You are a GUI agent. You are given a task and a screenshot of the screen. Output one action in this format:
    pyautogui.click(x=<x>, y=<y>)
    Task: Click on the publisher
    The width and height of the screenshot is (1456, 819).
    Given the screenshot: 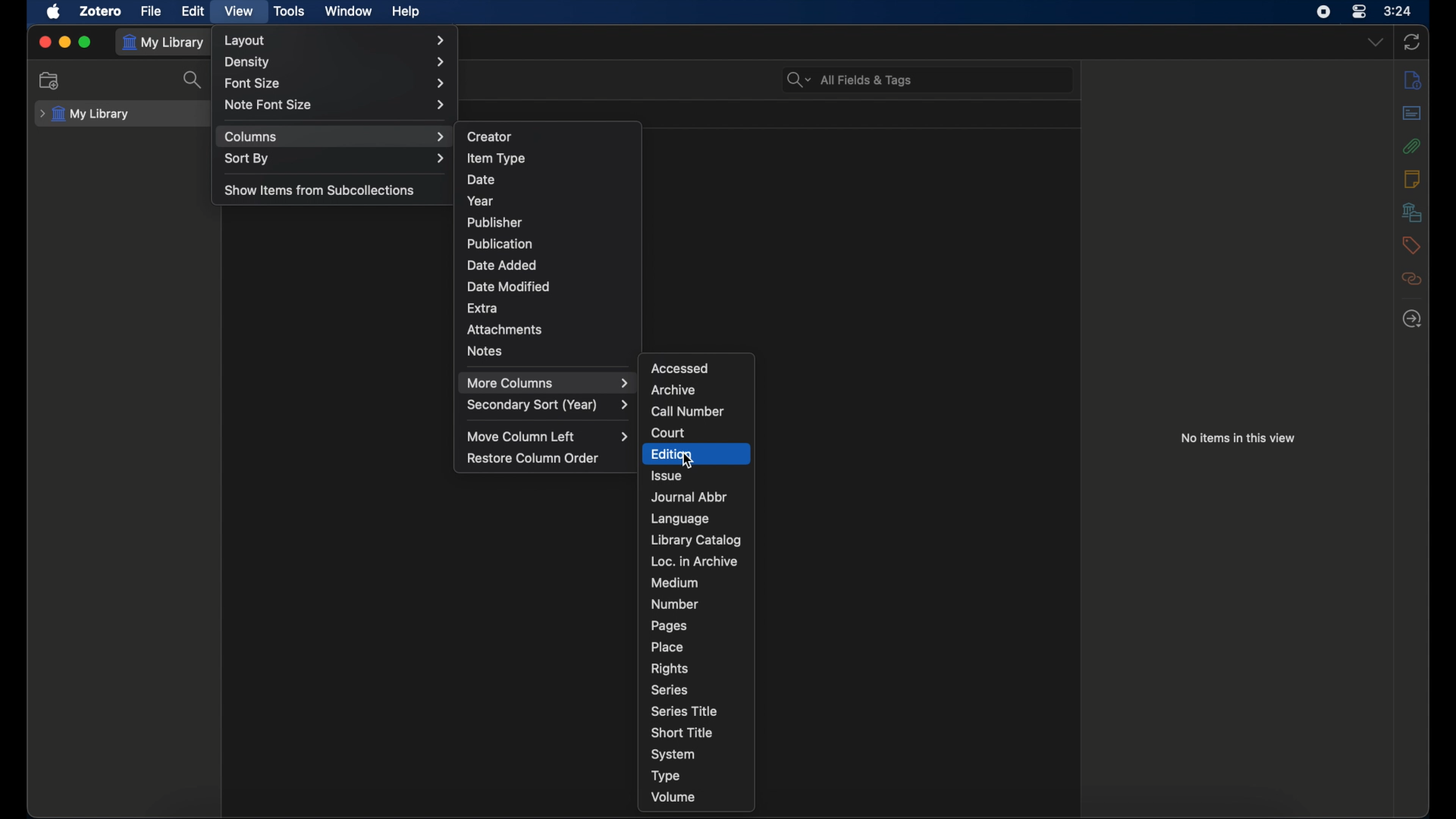 What is the action you would take?
    pyautogui.click(x=495, y=222)
    